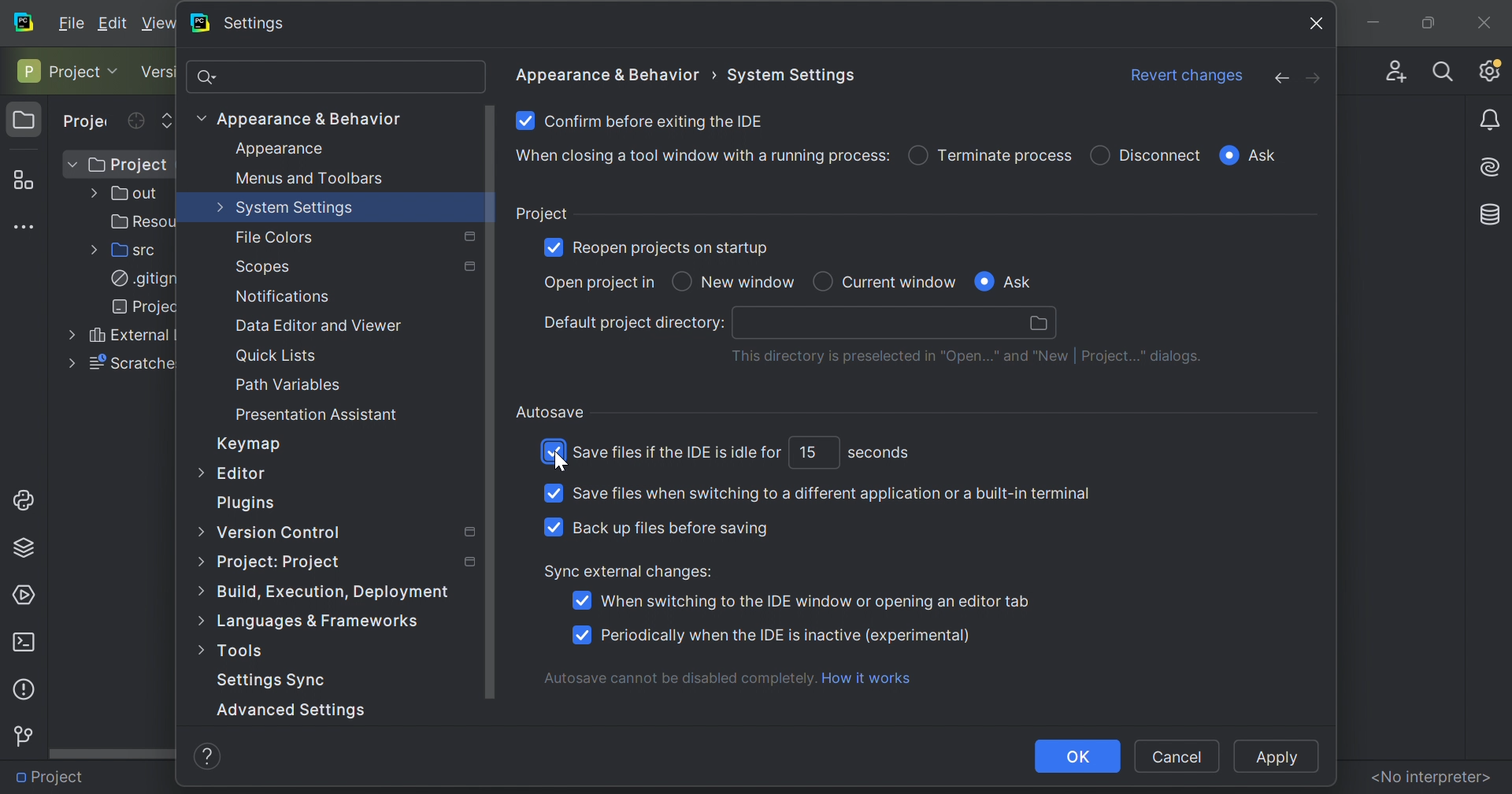 This screenshot has height=794, width=1512. I want to click on Data editor and viewer, so click(317, 325).